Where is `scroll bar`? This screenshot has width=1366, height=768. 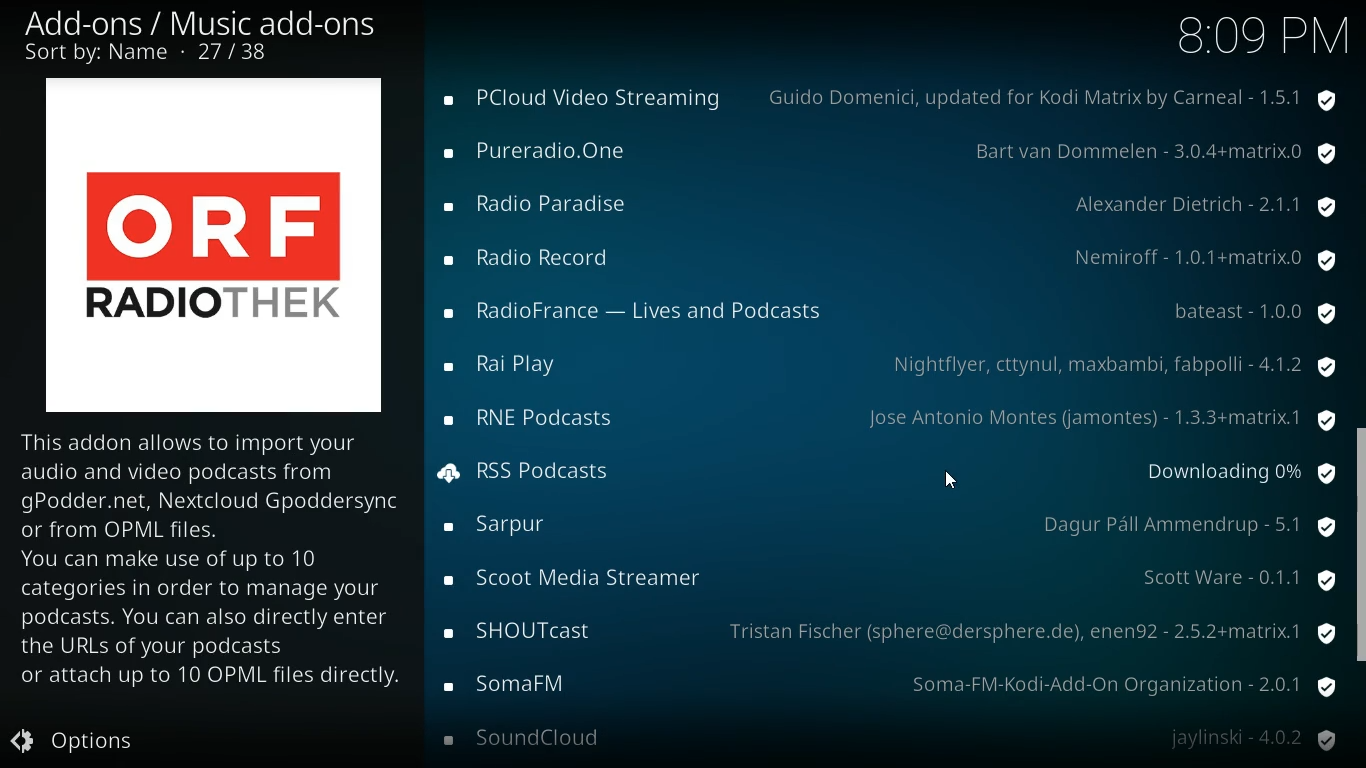 scroll bar is located at coordinates (1362, 547).